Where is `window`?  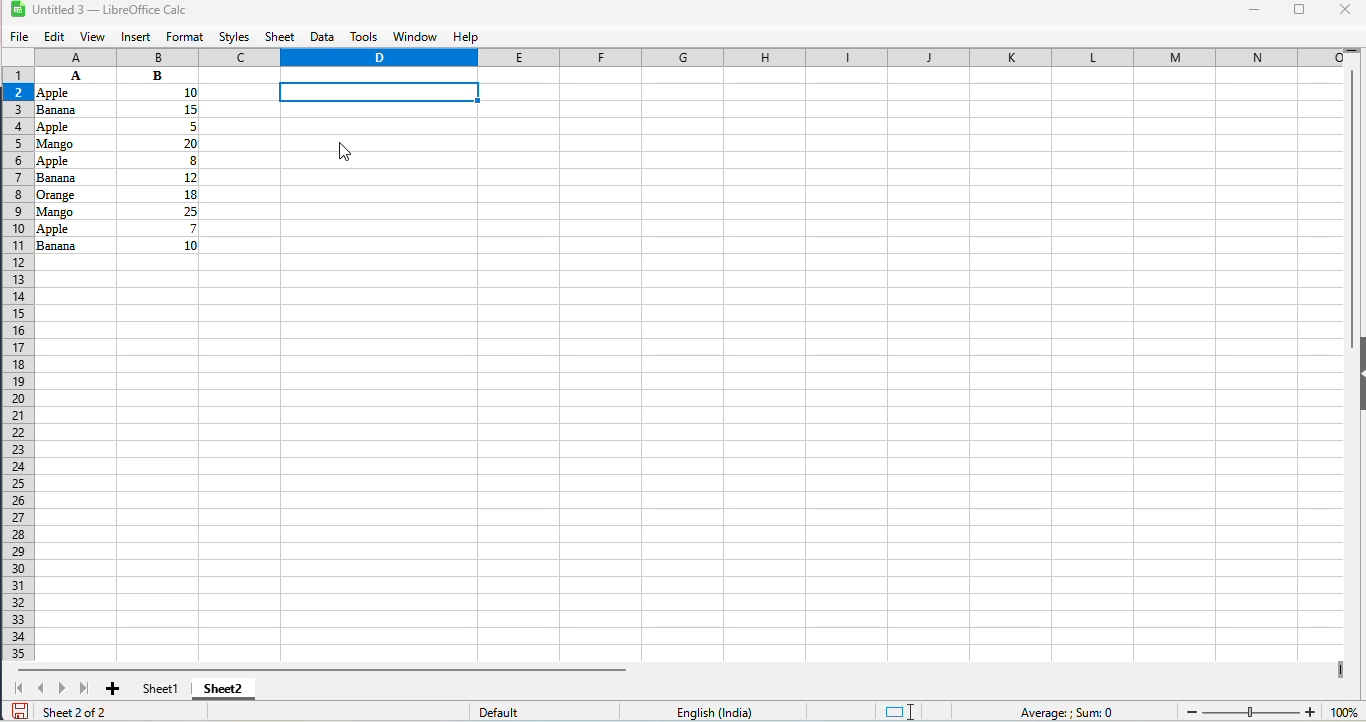
window is located at coordinates (416, 37).